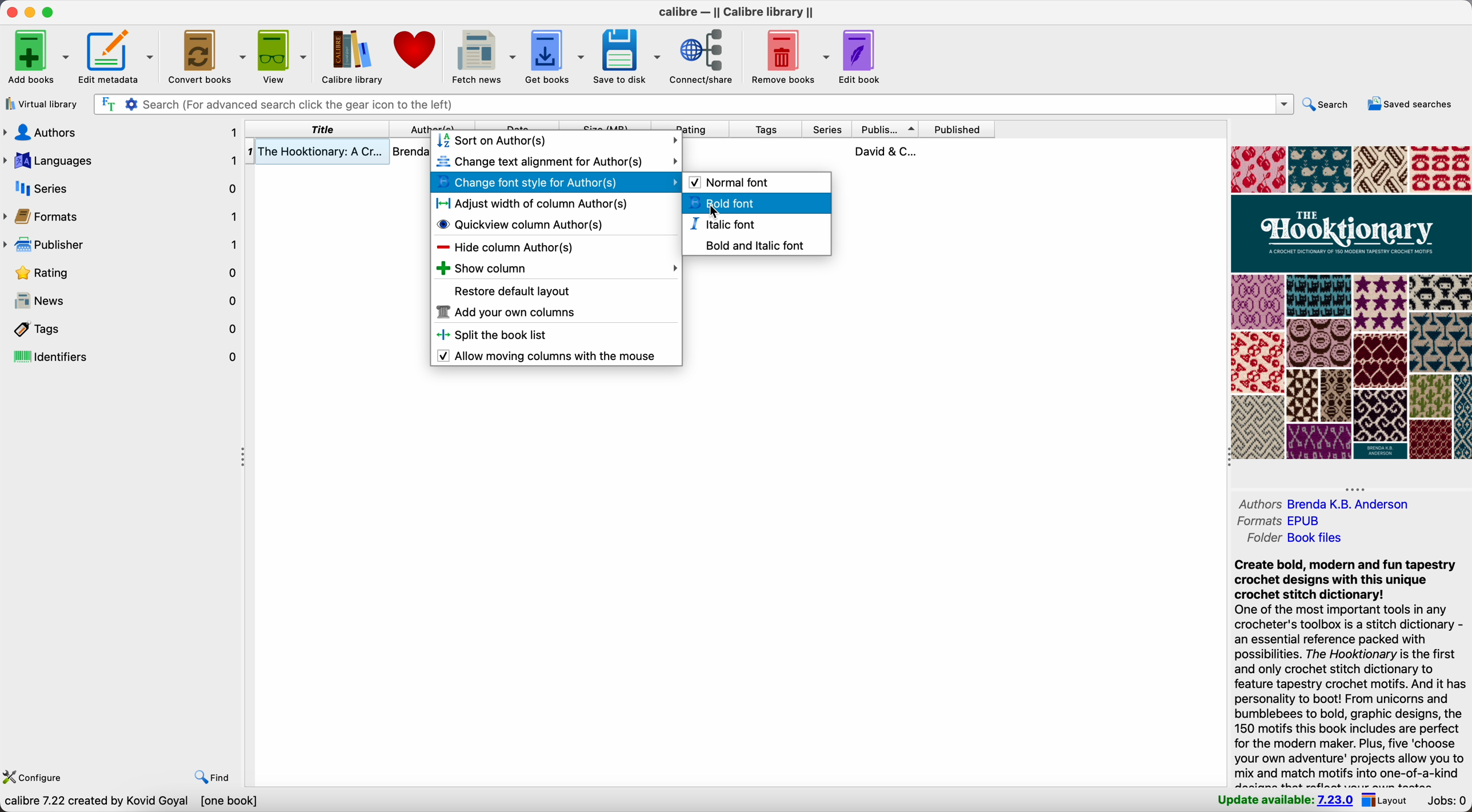  What do you see at coordinates (122, 242) in the screenshot?
I see `publisher` at bounding box center [122, 242].